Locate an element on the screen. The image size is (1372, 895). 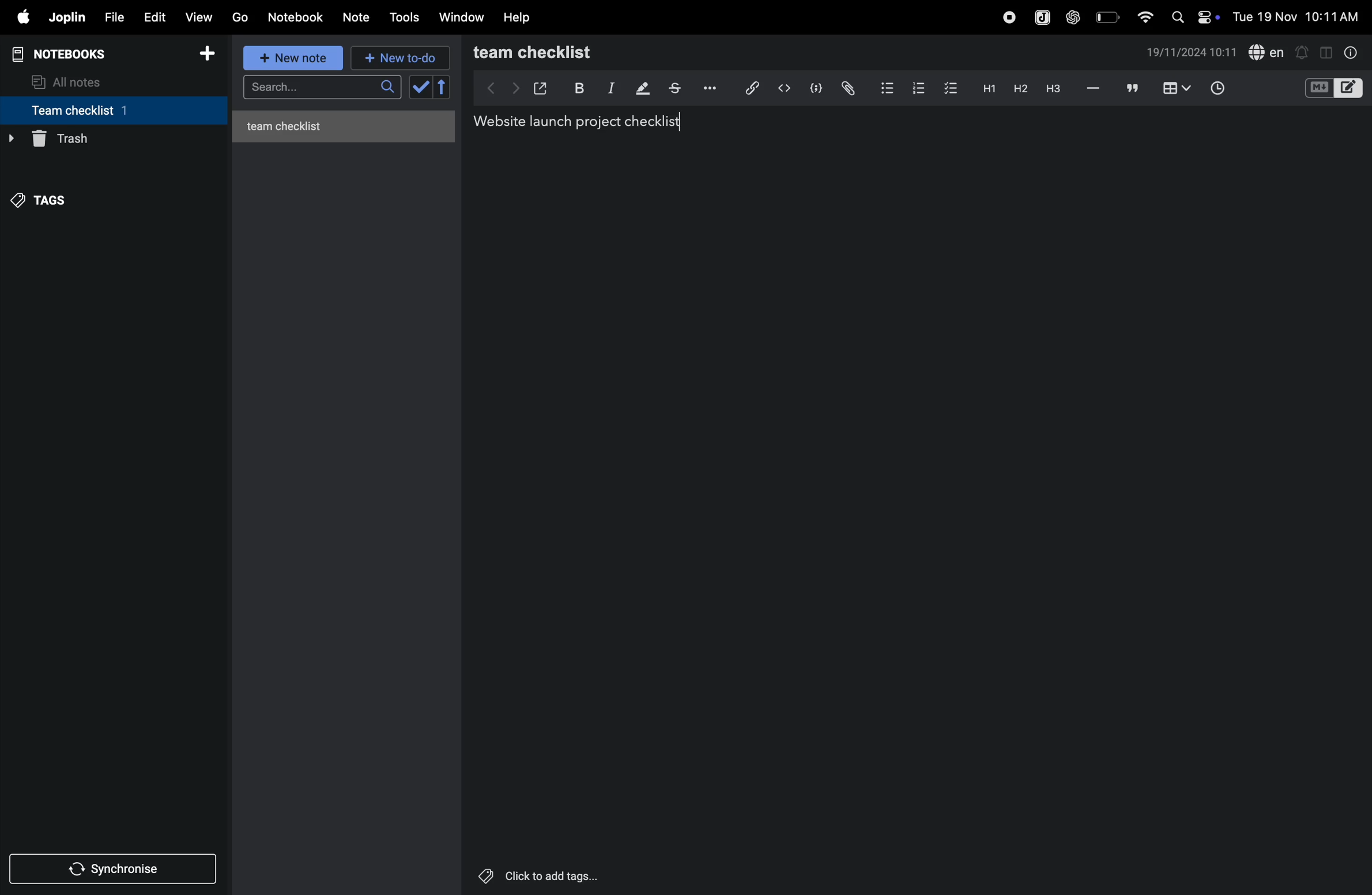
table is located at coordinates (1175, 88).